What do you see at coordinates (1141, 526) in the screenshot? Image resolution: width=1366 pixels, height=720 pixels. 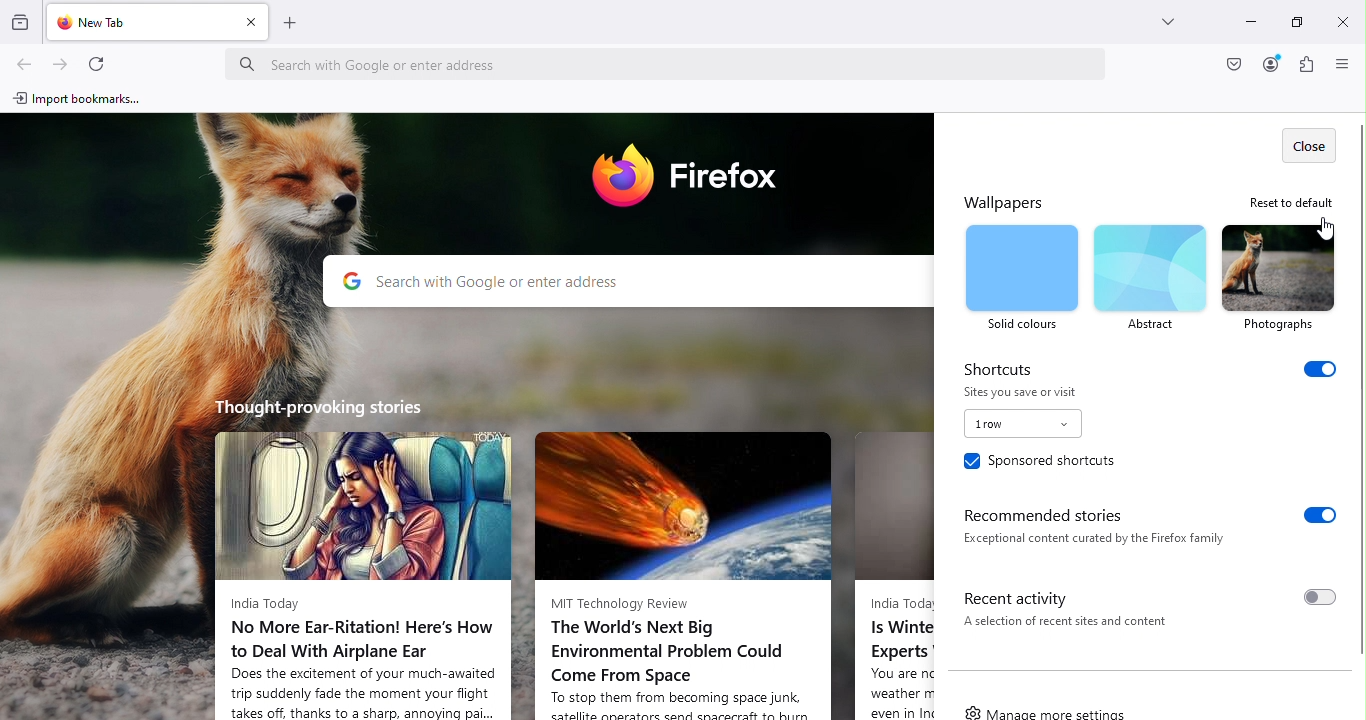 I see `Recommended stories` at bounding box center [1141, 526].